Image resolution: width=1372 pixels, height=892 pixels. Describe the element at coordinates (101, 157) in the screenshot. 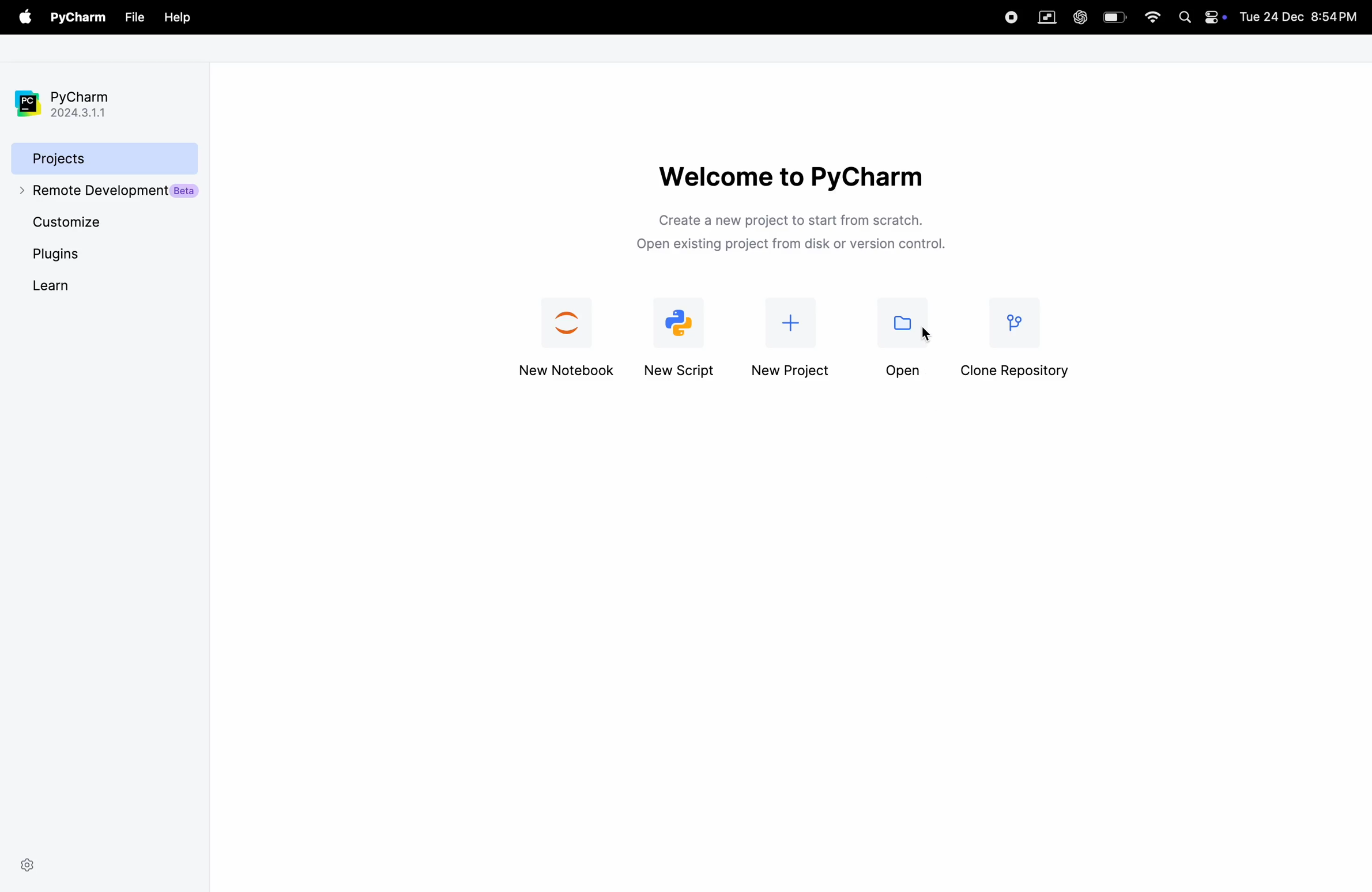

I see `projects` at that location.